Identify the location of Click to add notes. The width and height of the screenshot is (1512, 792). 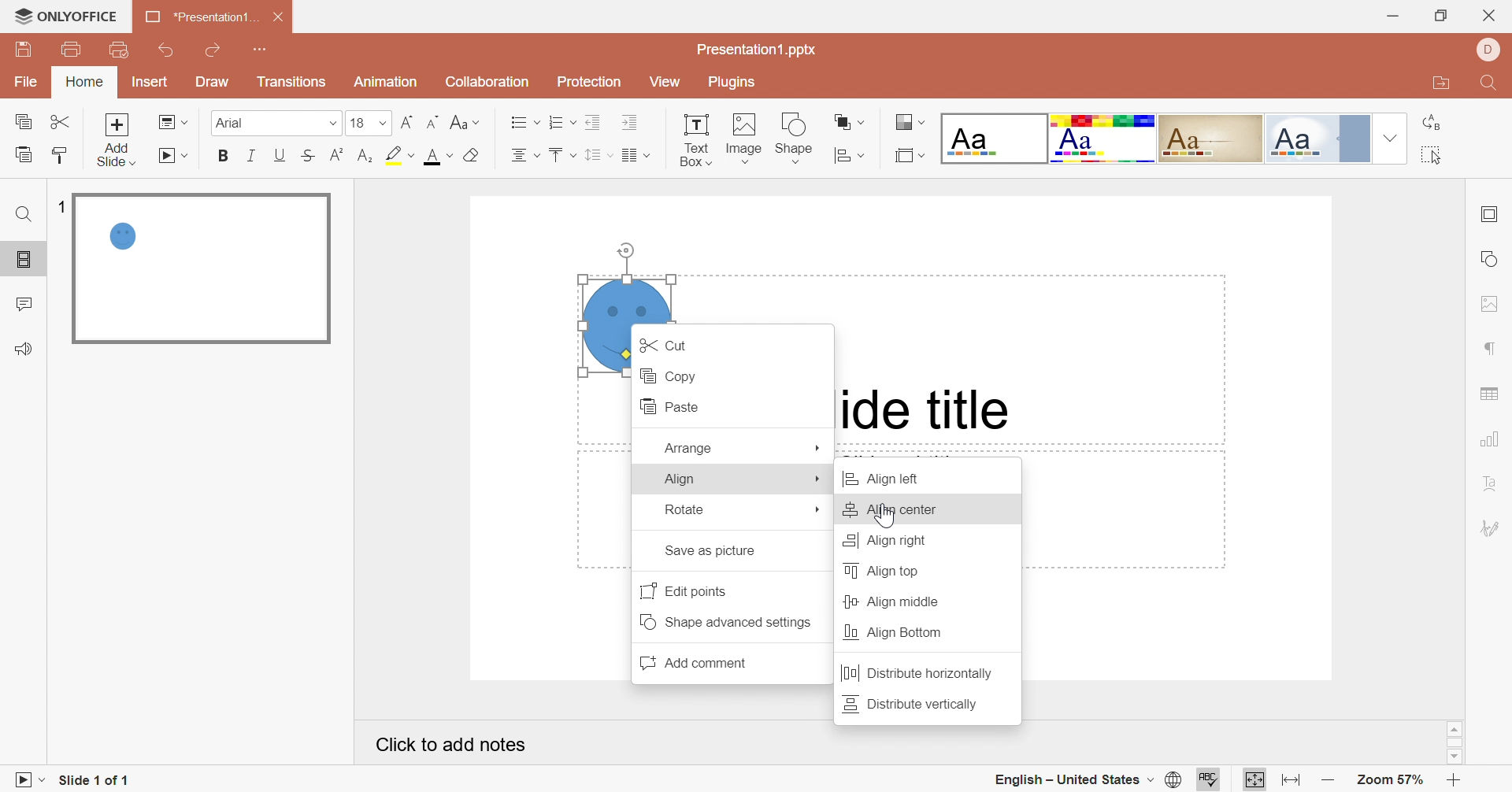
(453, 745).